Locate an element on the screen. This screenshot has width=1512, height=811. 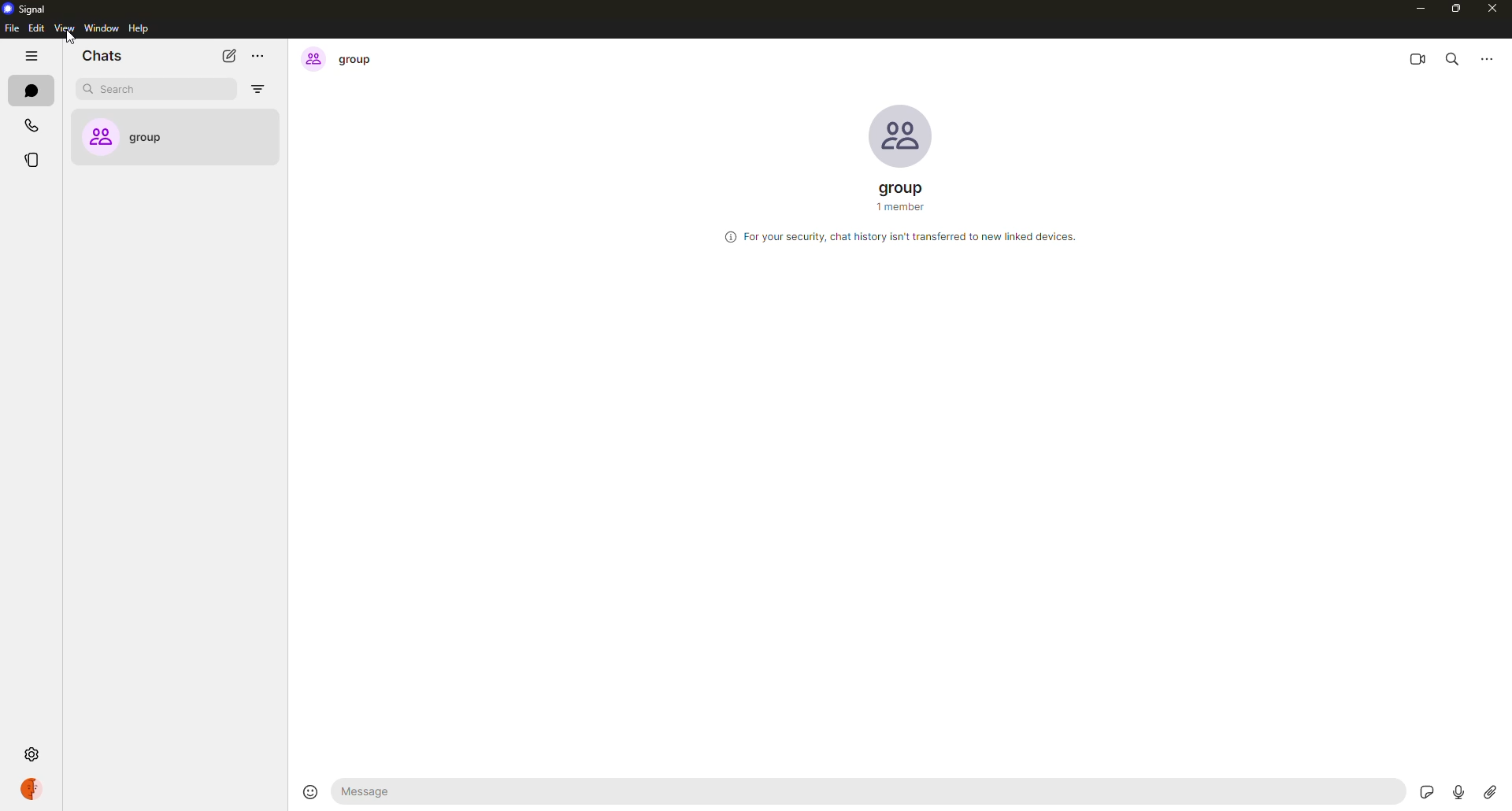
minimize is located at coordinates (1418, 9).